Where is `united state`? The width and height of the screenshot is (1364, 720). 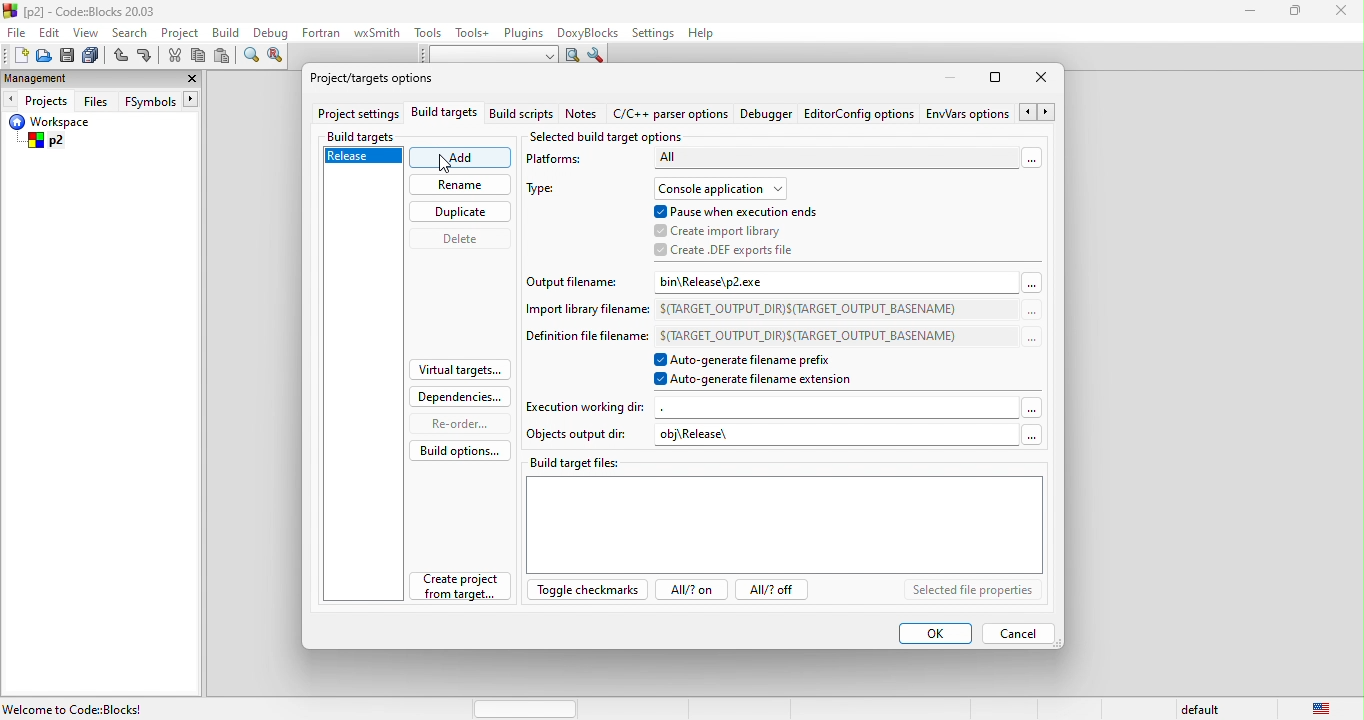
united state is located at coordinates (1324, 707).